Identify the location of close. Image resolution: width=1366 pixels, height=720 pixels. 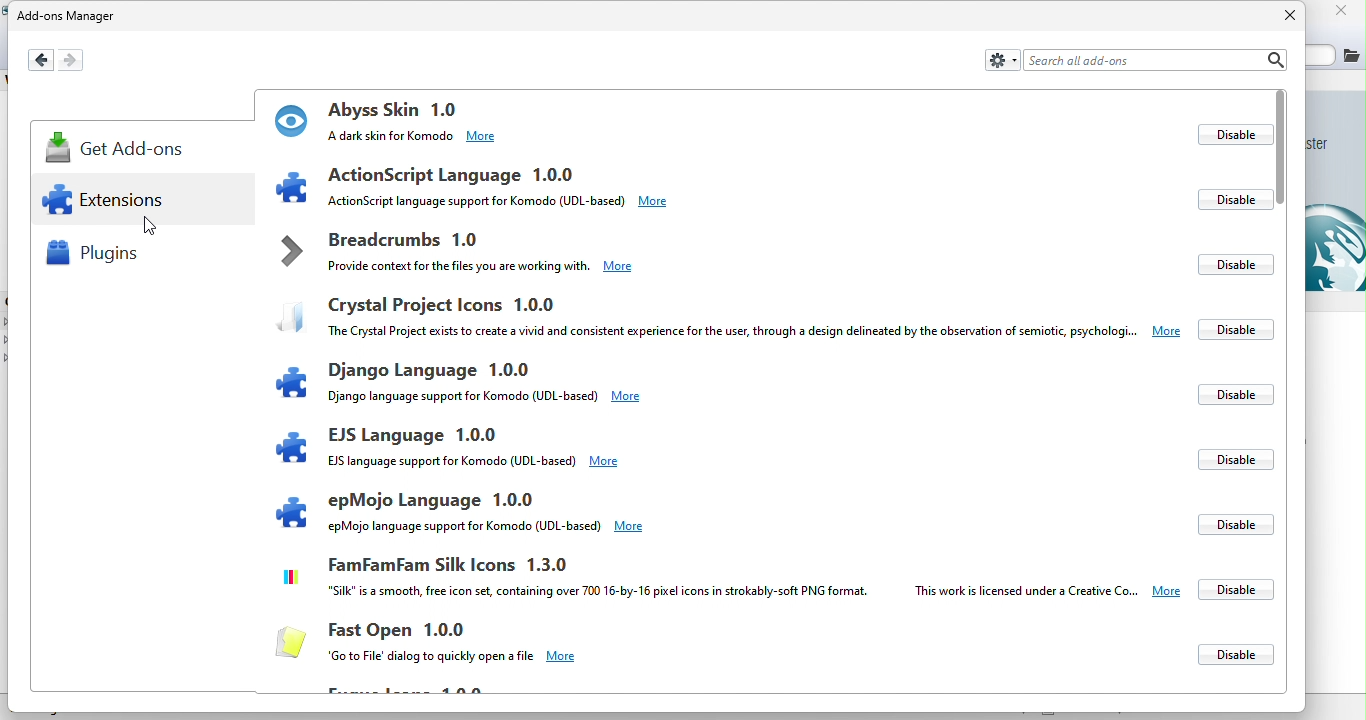
(1280, 15).